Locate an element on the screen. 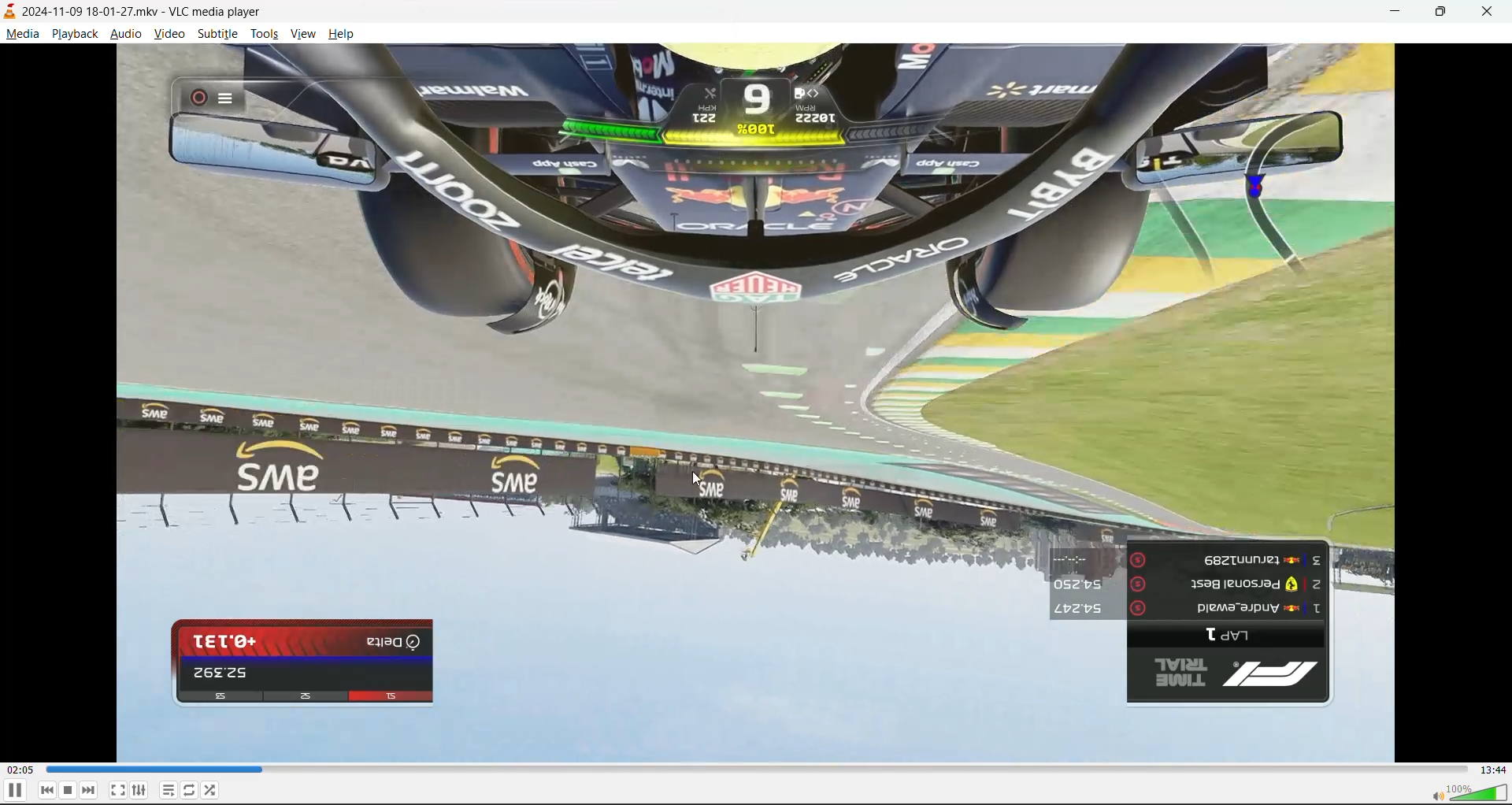 The width and height of the screenshot is (1512, 805). current track time is located at coordinates (19, 770).